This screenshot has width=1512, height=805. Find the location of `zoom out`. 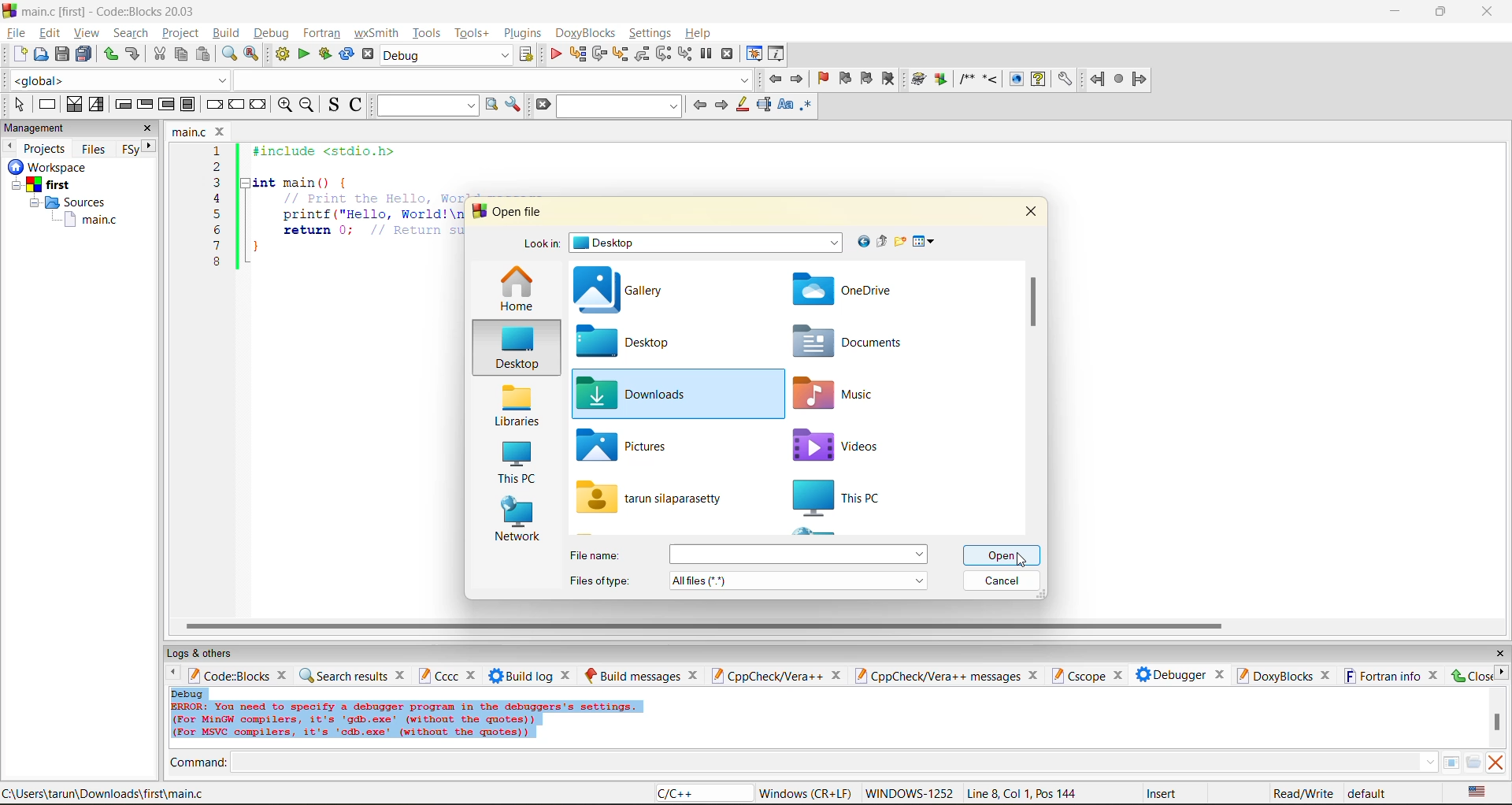

zoom out is located at coordinates (306, 106).